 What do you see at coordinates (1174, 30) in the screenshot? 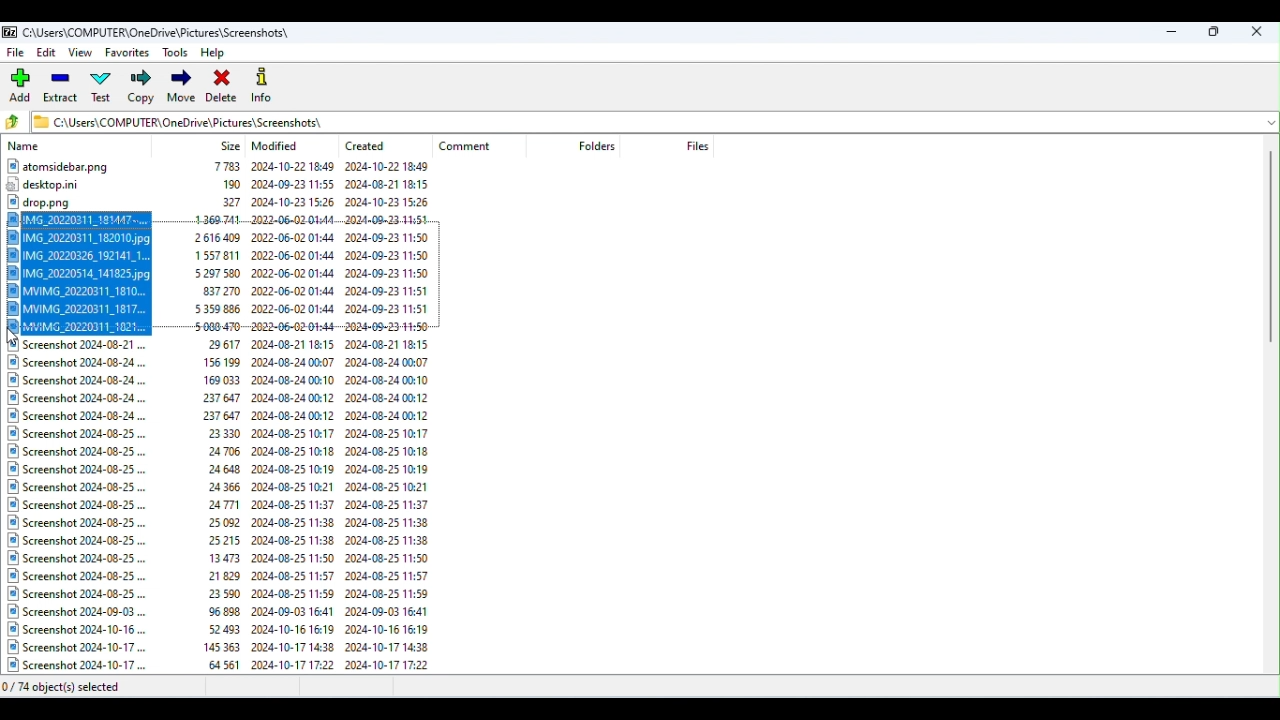
I see `Minimize` at bounding box center [1174, 30].